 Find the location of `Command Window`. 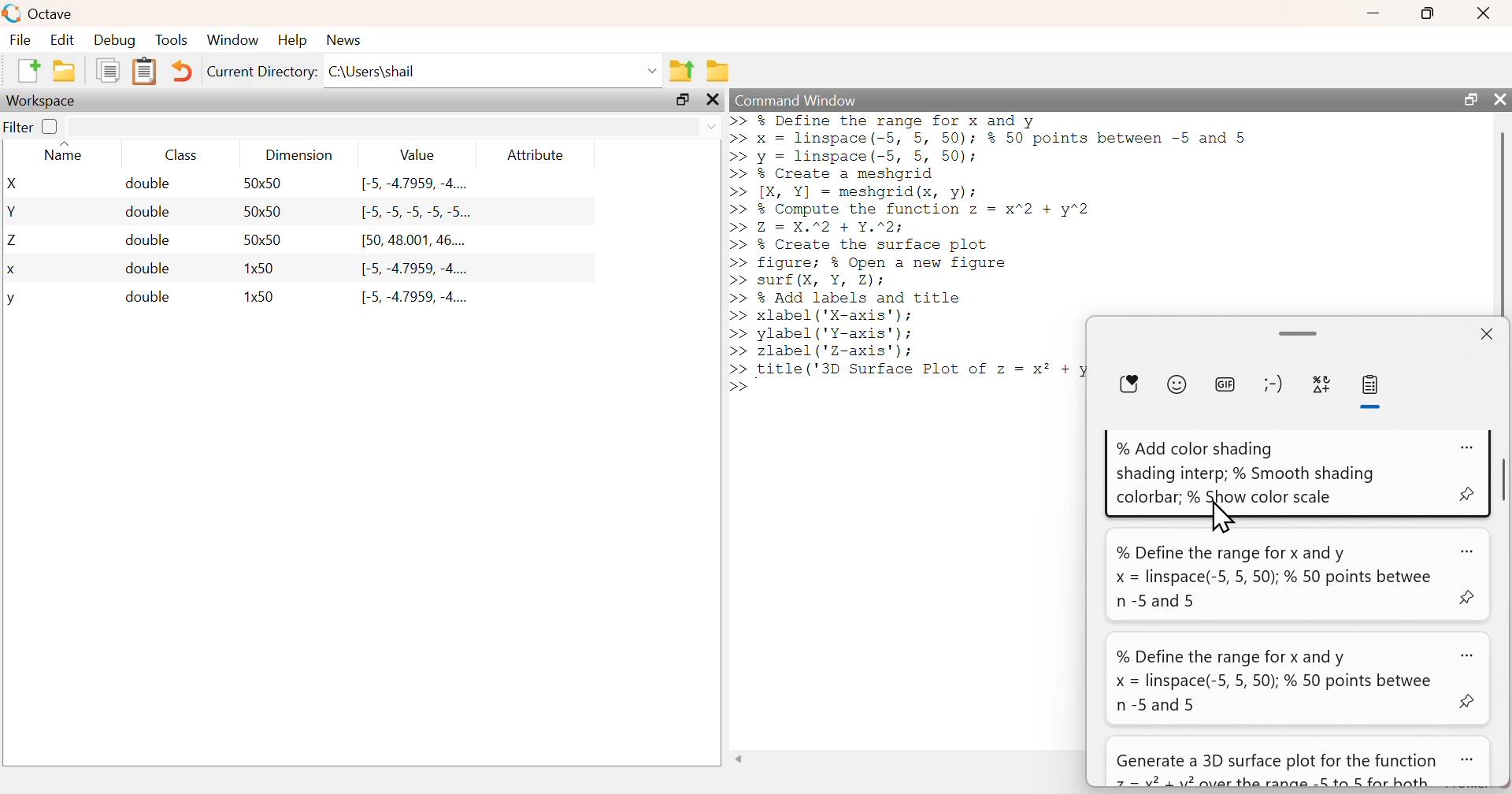

Command Window is located at coordinates (798, 100).